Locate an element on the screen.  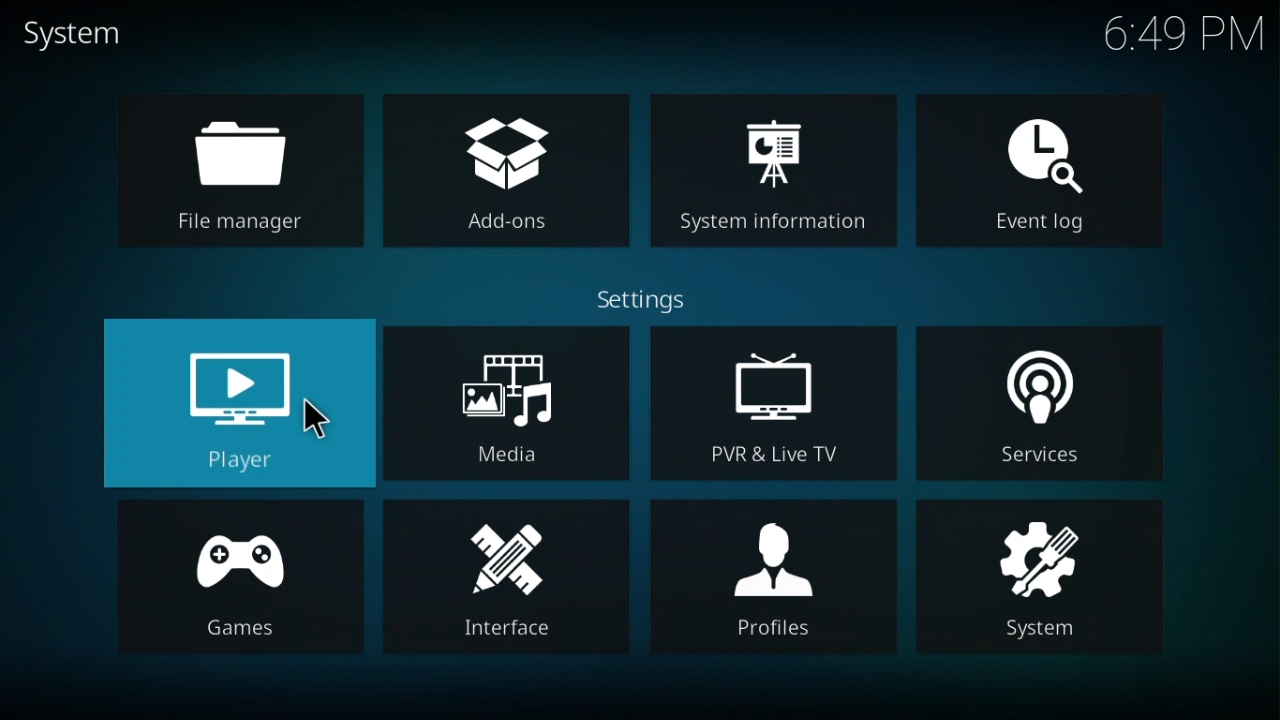
Time is located at coordinates (1175, 32).